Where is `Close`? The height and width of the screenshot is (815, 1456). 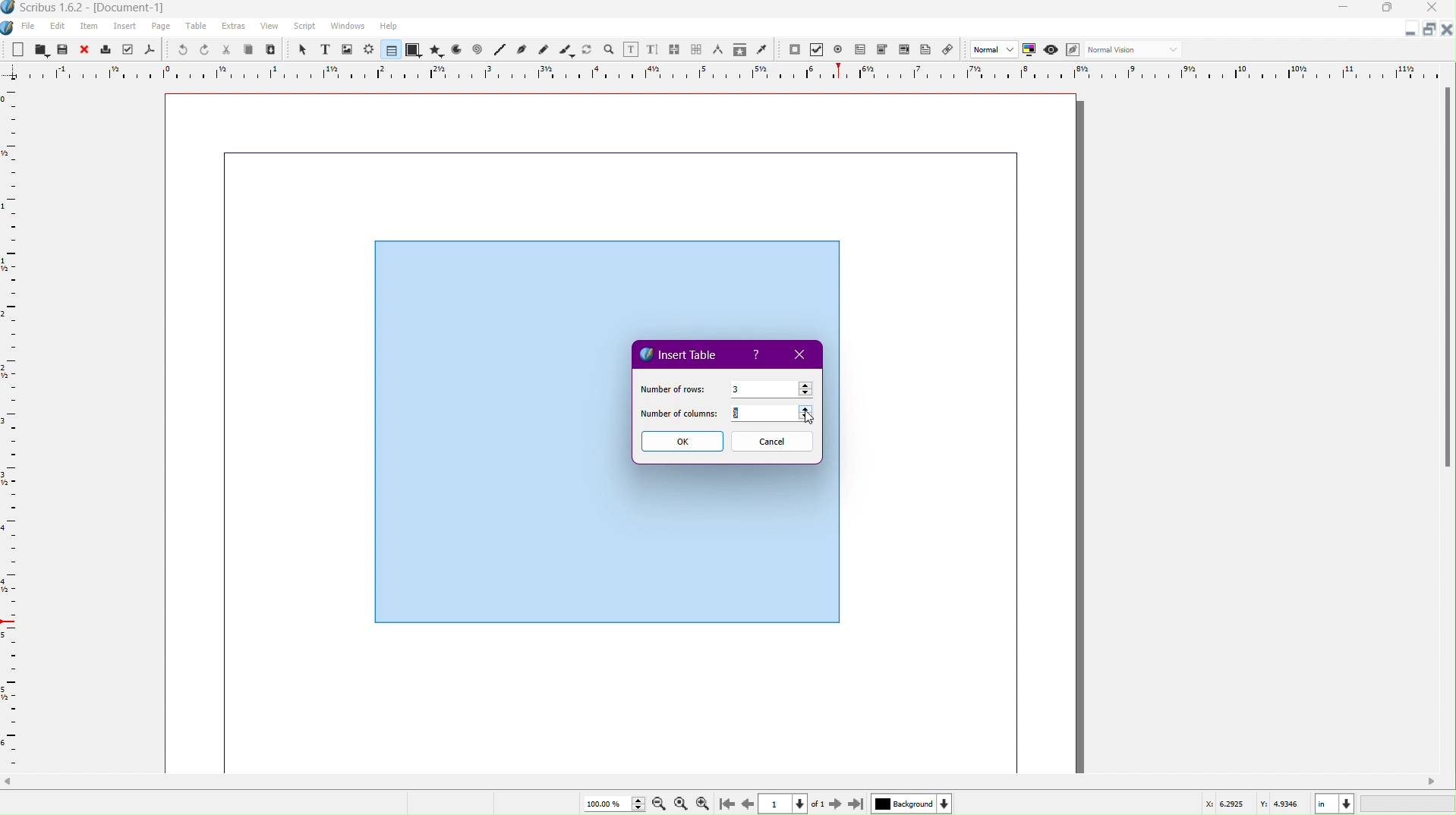 Close is located at coordinates (1436, 9).